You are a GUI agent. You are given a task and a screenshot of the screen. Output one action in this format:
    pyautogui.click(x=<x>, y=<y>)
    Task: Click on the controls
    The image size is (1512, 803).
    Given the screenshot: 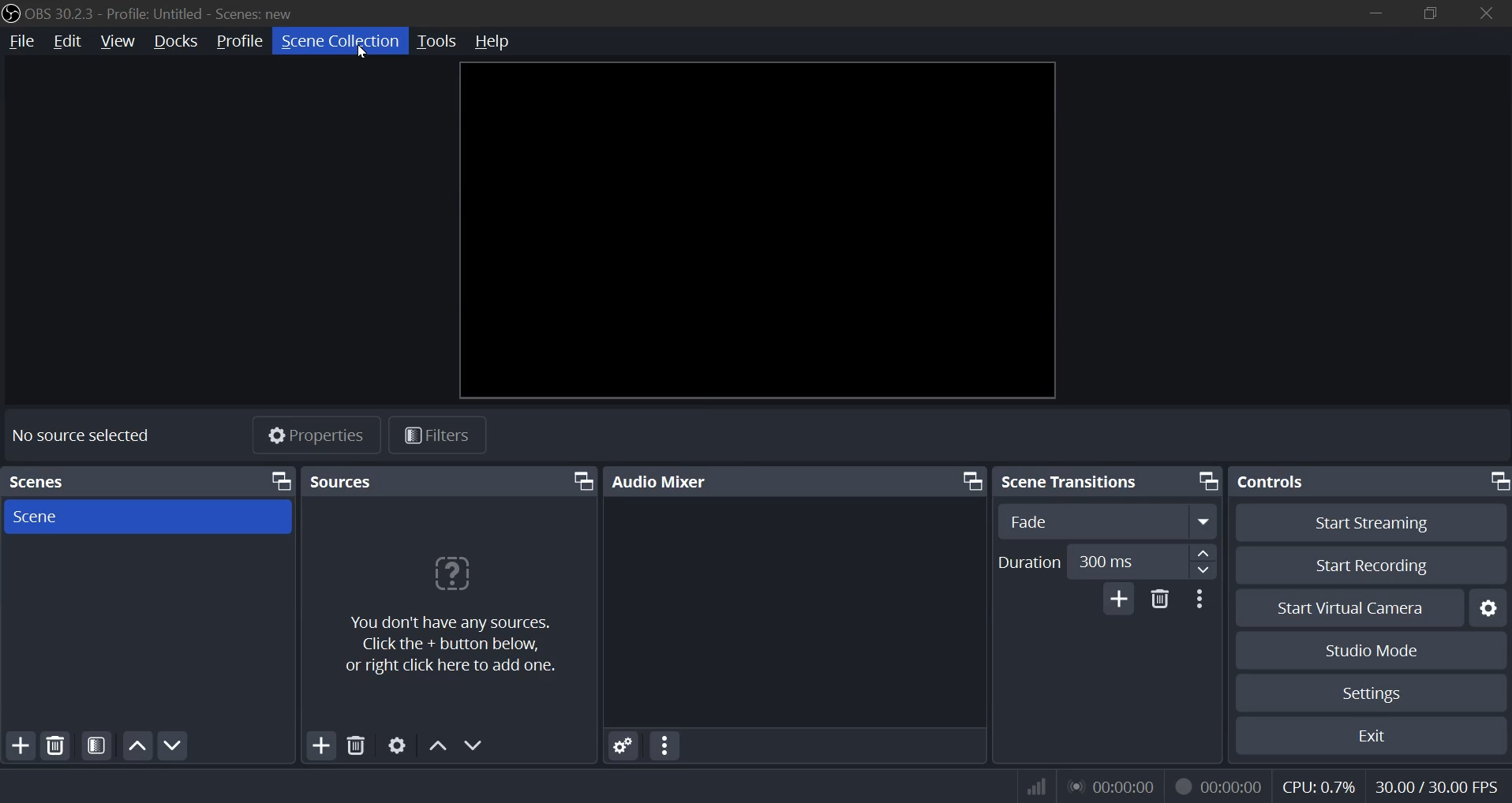 What is the action you would take?
    pyautogui.click(x=1277, y=483)
    